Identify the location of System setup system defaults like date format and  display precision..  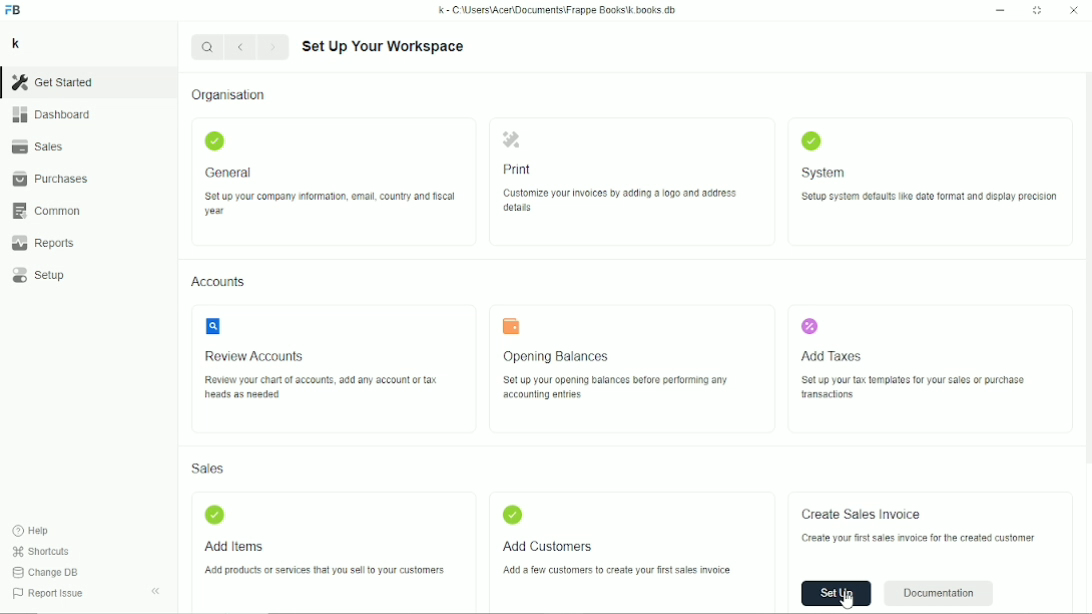
(931, 168).